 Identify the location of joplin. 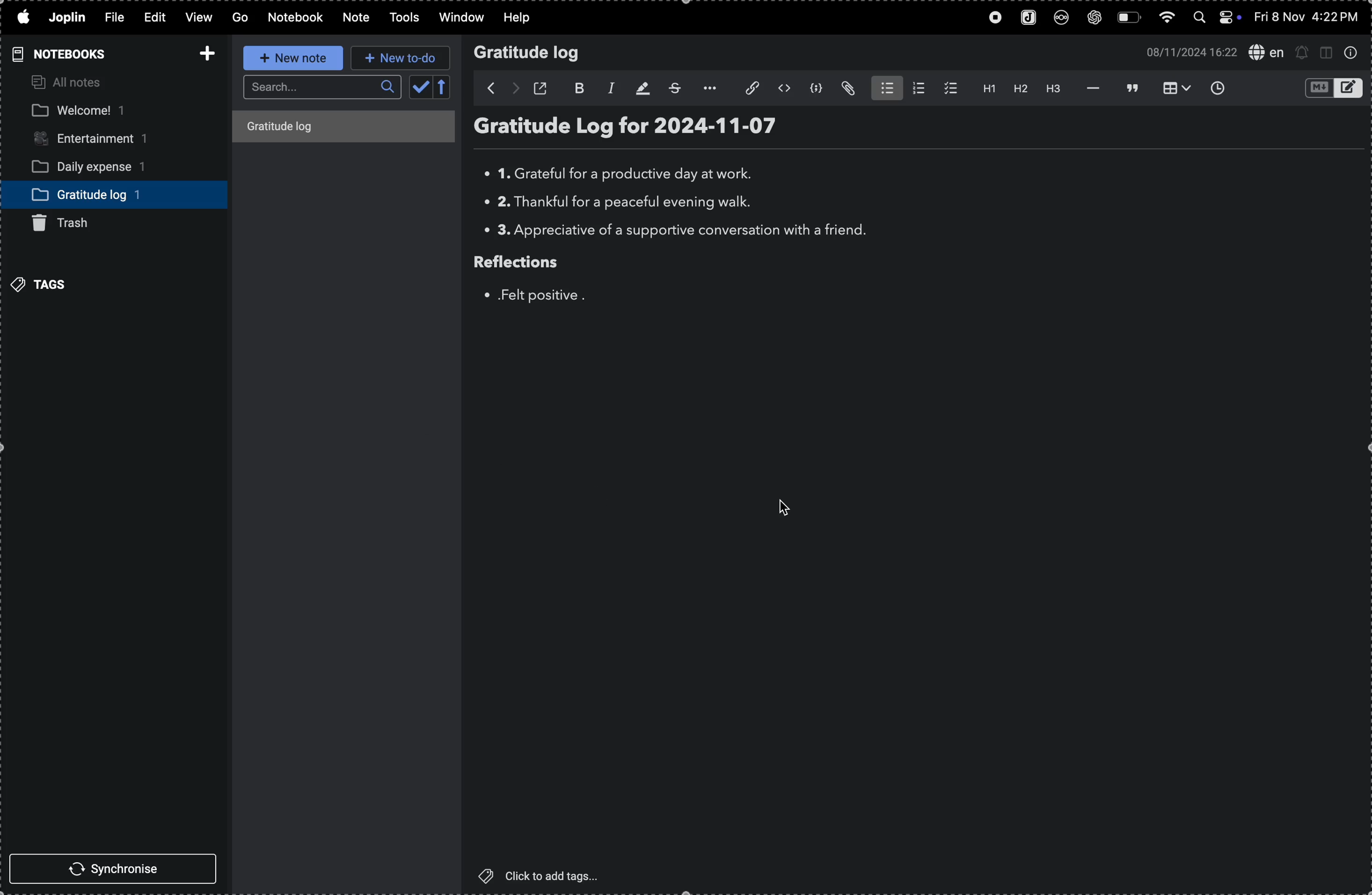
(1030, 17).